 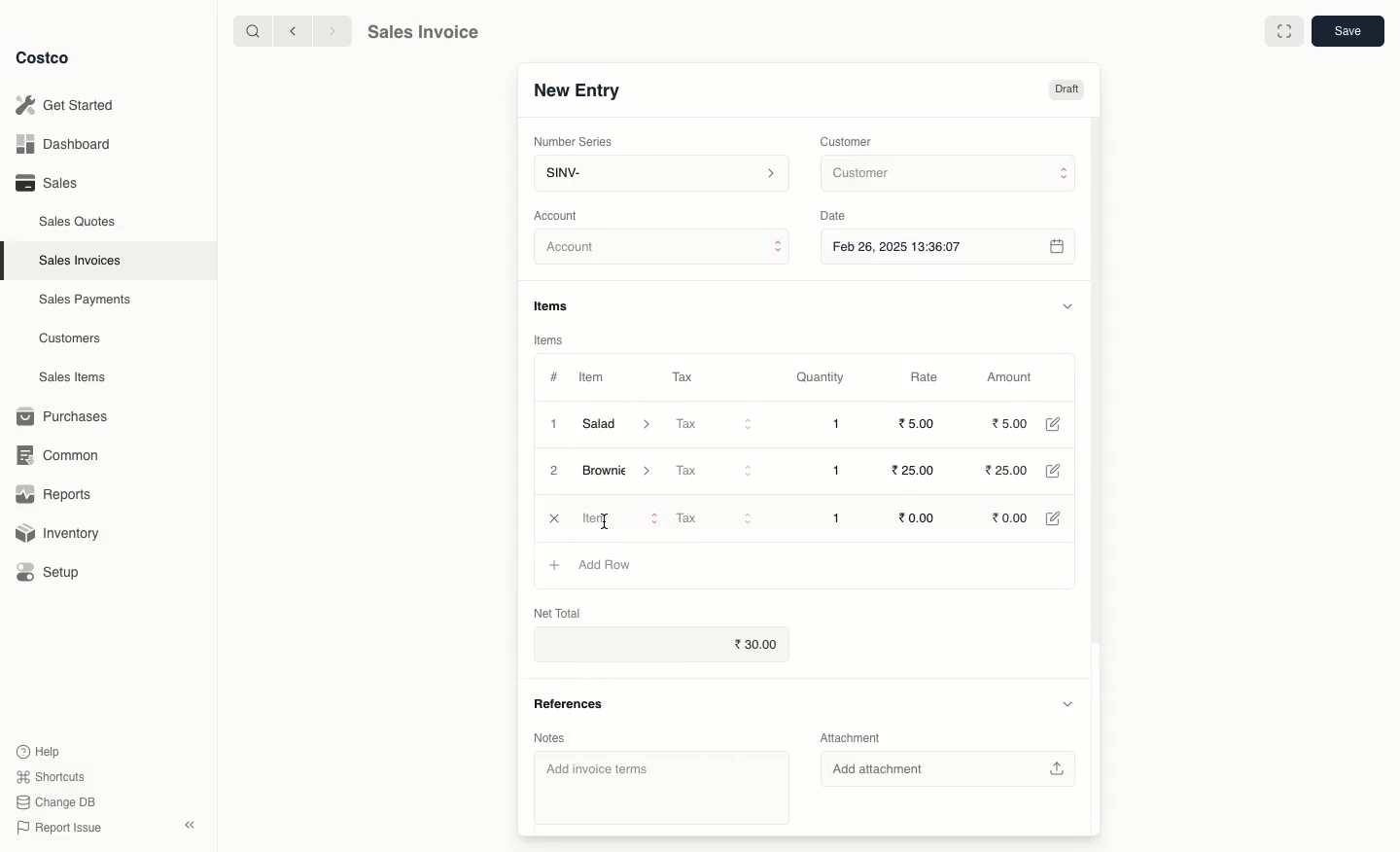 What do you see at coordinates (423, 34) in the screenshot?
I see `Sales Invoice` at bounding box center [423, 34].